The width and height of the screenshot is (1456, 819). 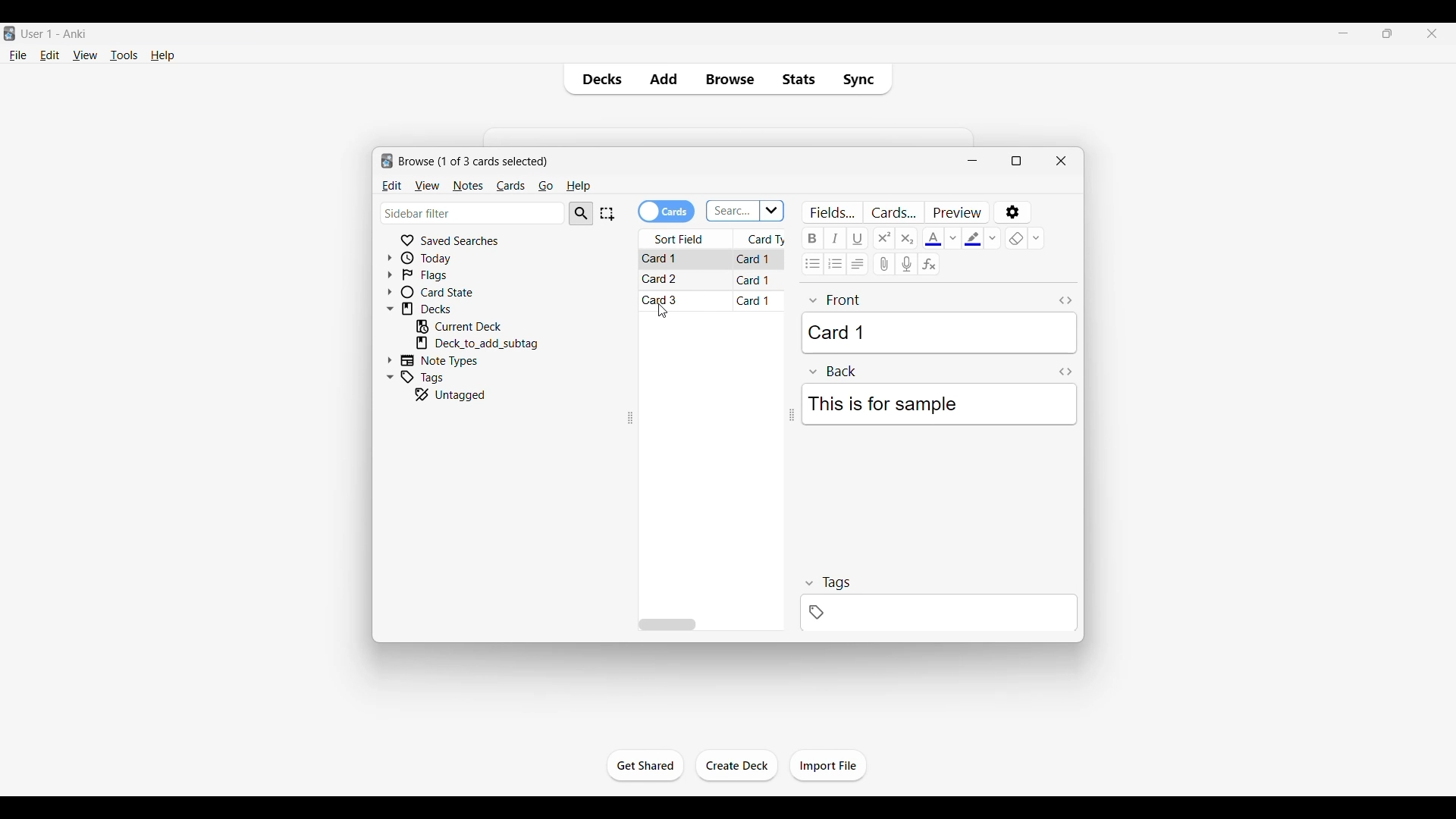 I want to click on Toggle HTML editor, so click(x=1065, y=372).